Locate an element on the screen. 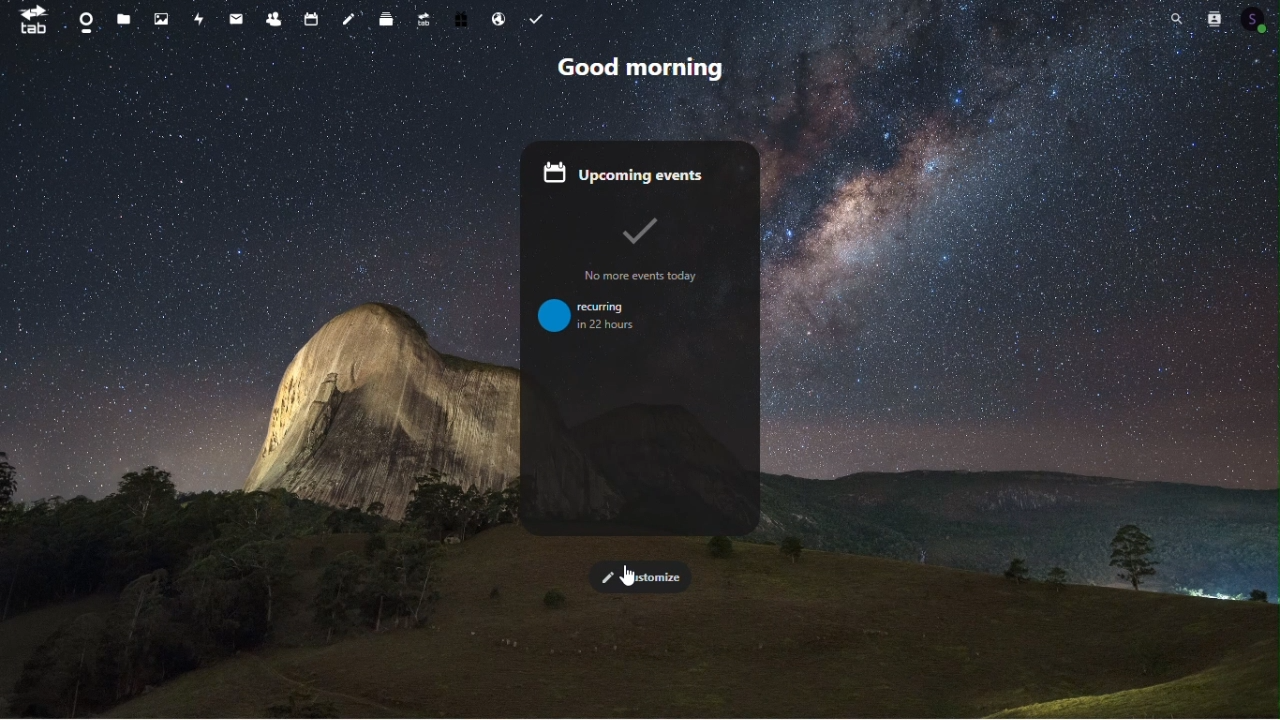  tab is located at coordinates (27, 19).